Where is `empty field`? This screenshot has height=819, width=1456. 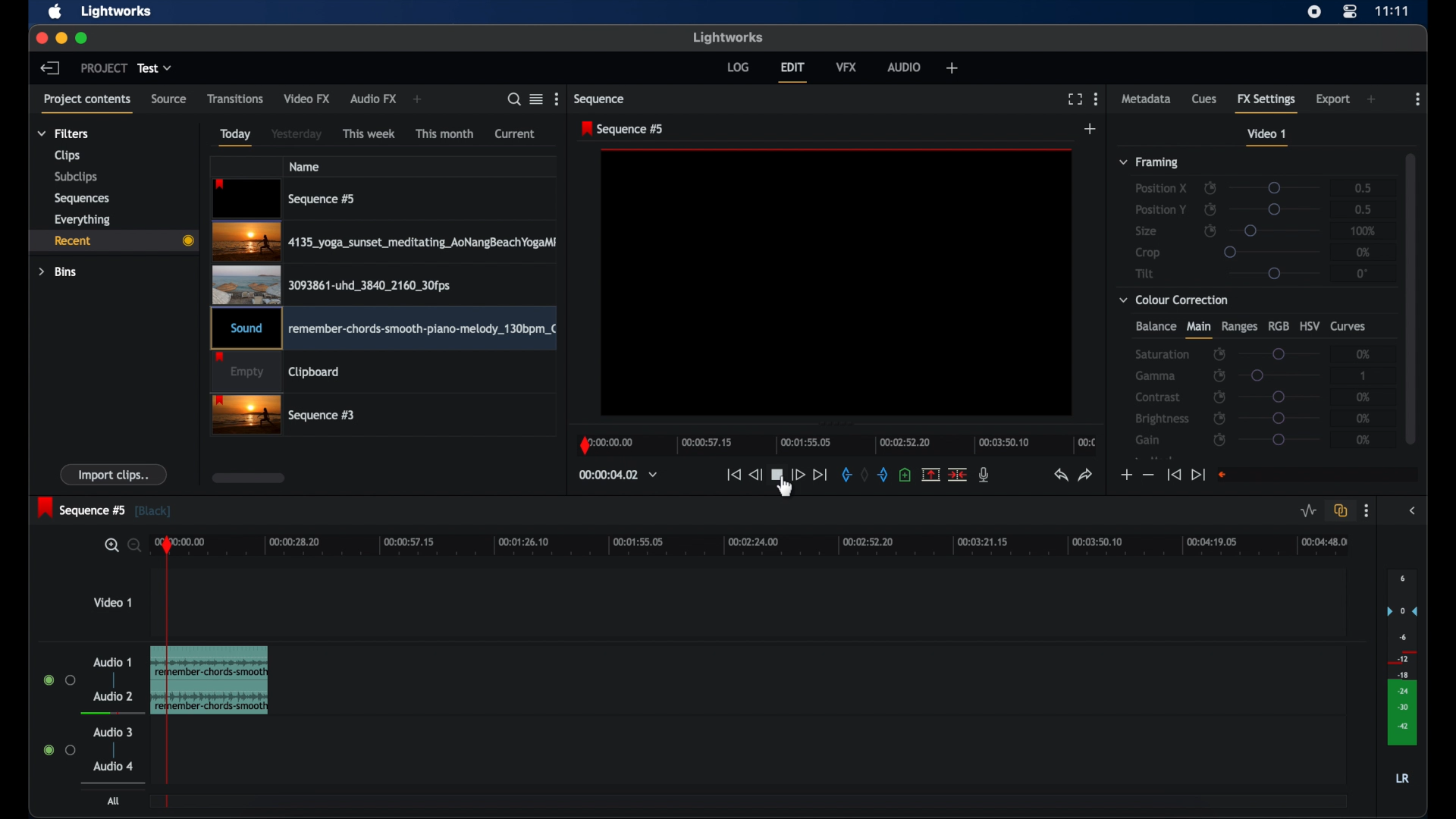
empty field is located at coordinates (1319, 475).